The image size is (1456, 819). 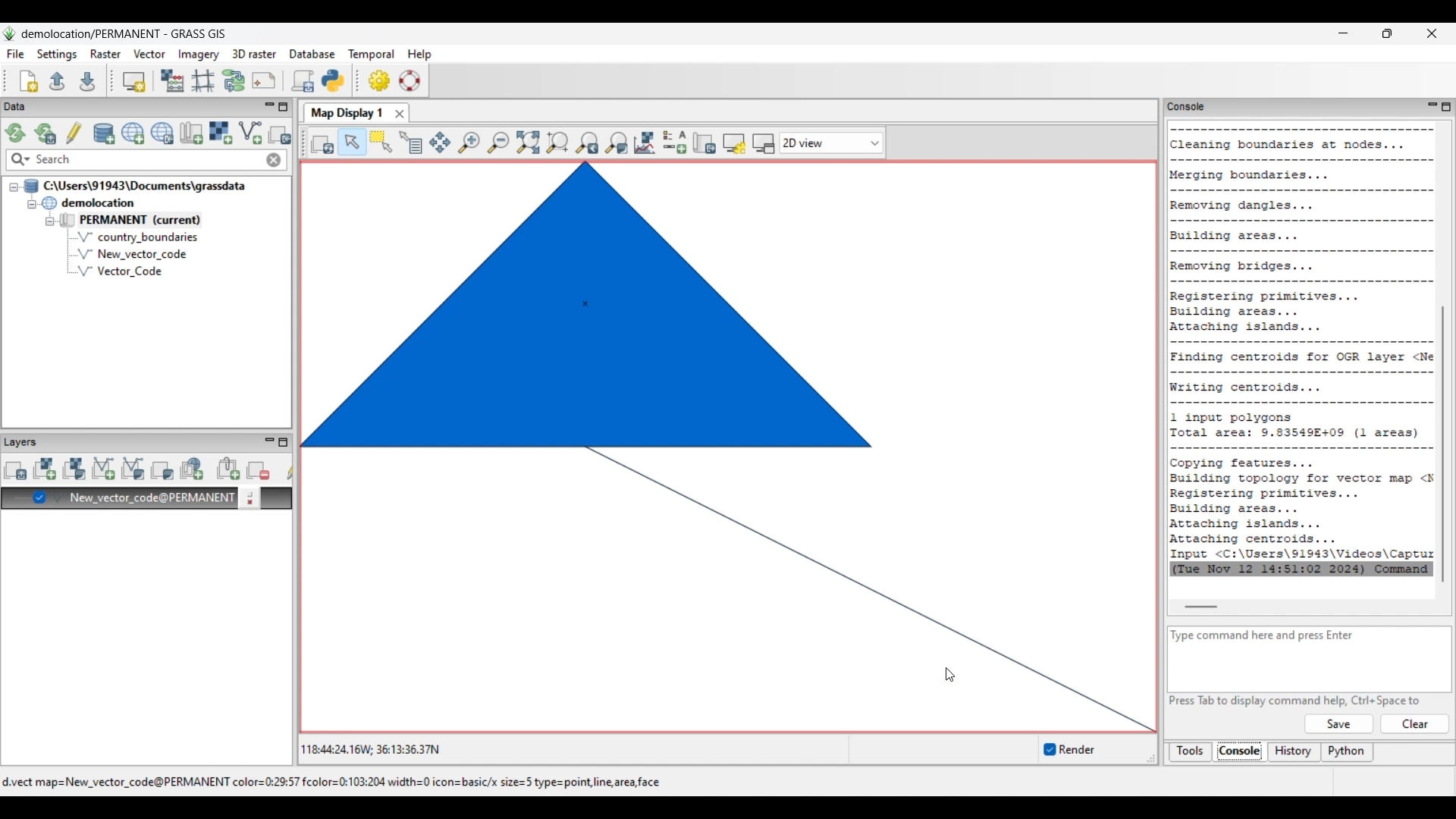 I want to click on GRASS manual, so click(x=409, y=80).